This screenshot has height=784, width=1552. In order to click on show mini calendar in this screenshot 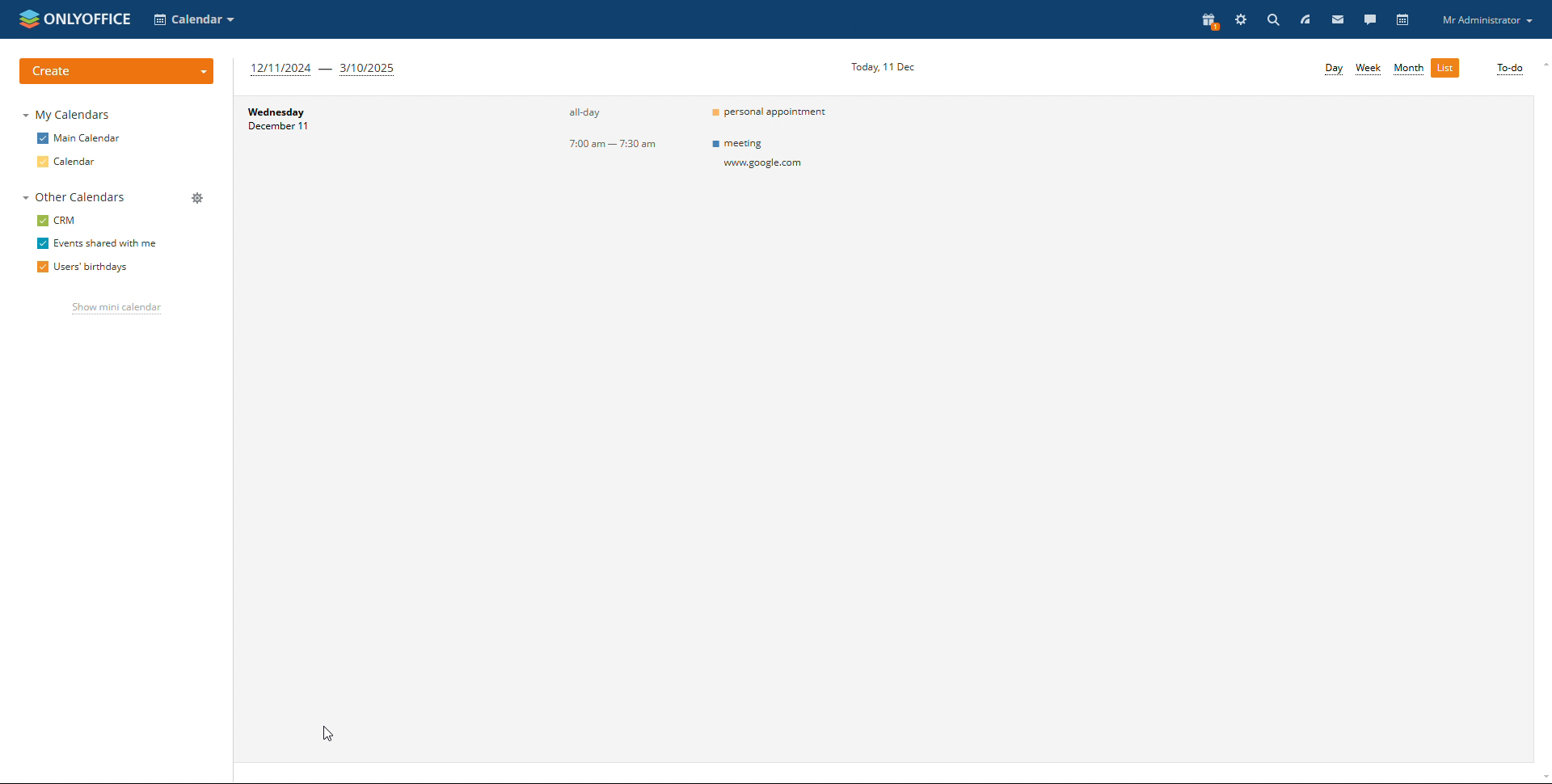, I will do `click(118, 309)`.